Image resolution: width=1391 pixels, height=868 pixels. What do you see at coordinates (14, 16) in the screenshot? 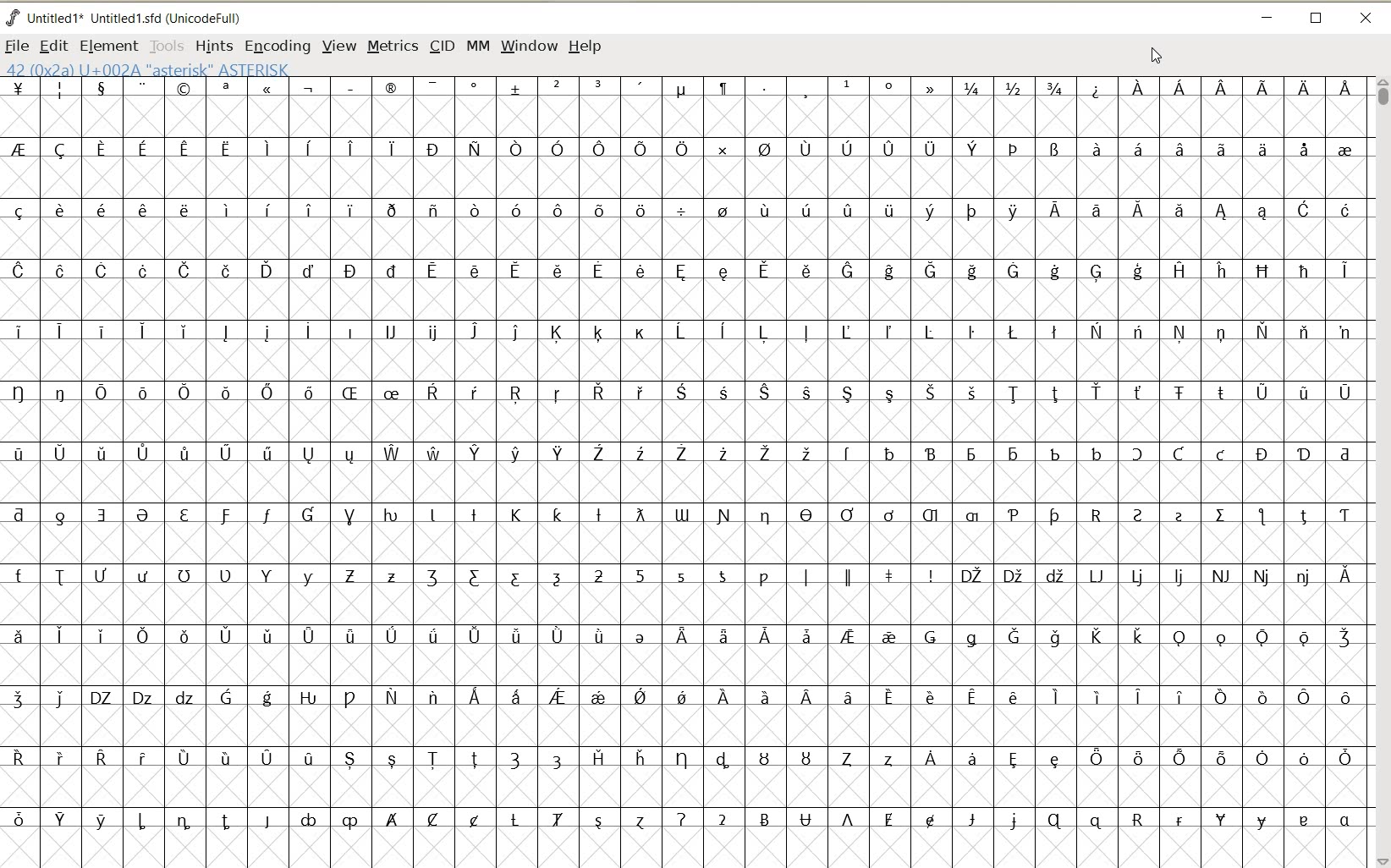
I see `fontforge logo` at bounding box center [14, 16].